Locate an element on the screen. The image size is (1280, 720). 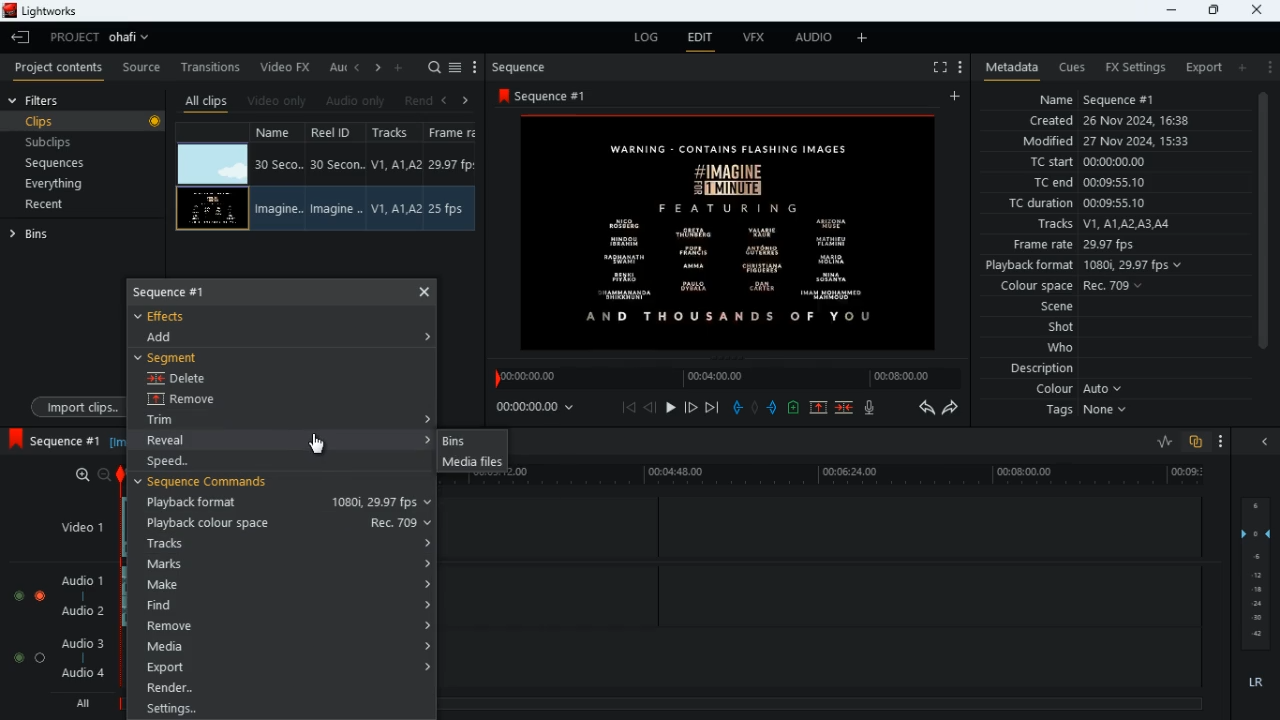
remove is located at coordinates (284, 626).